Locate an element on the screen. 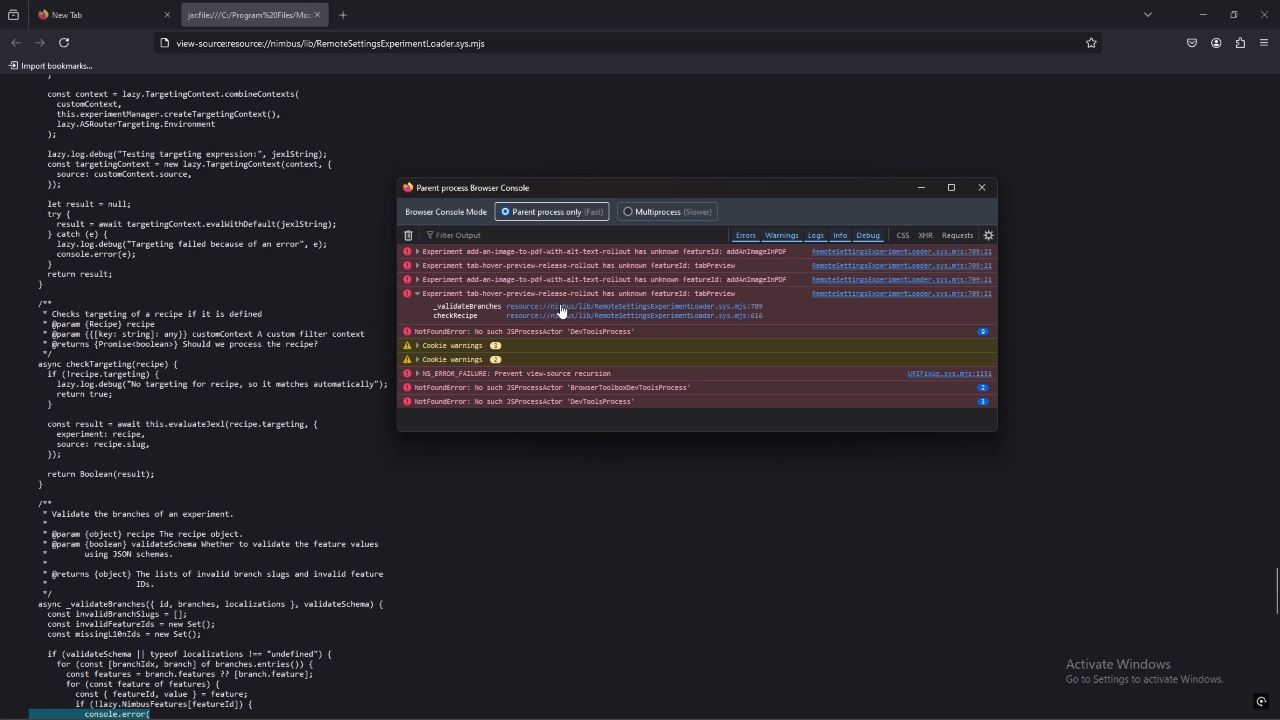  css is located at coordinates (902, 235).